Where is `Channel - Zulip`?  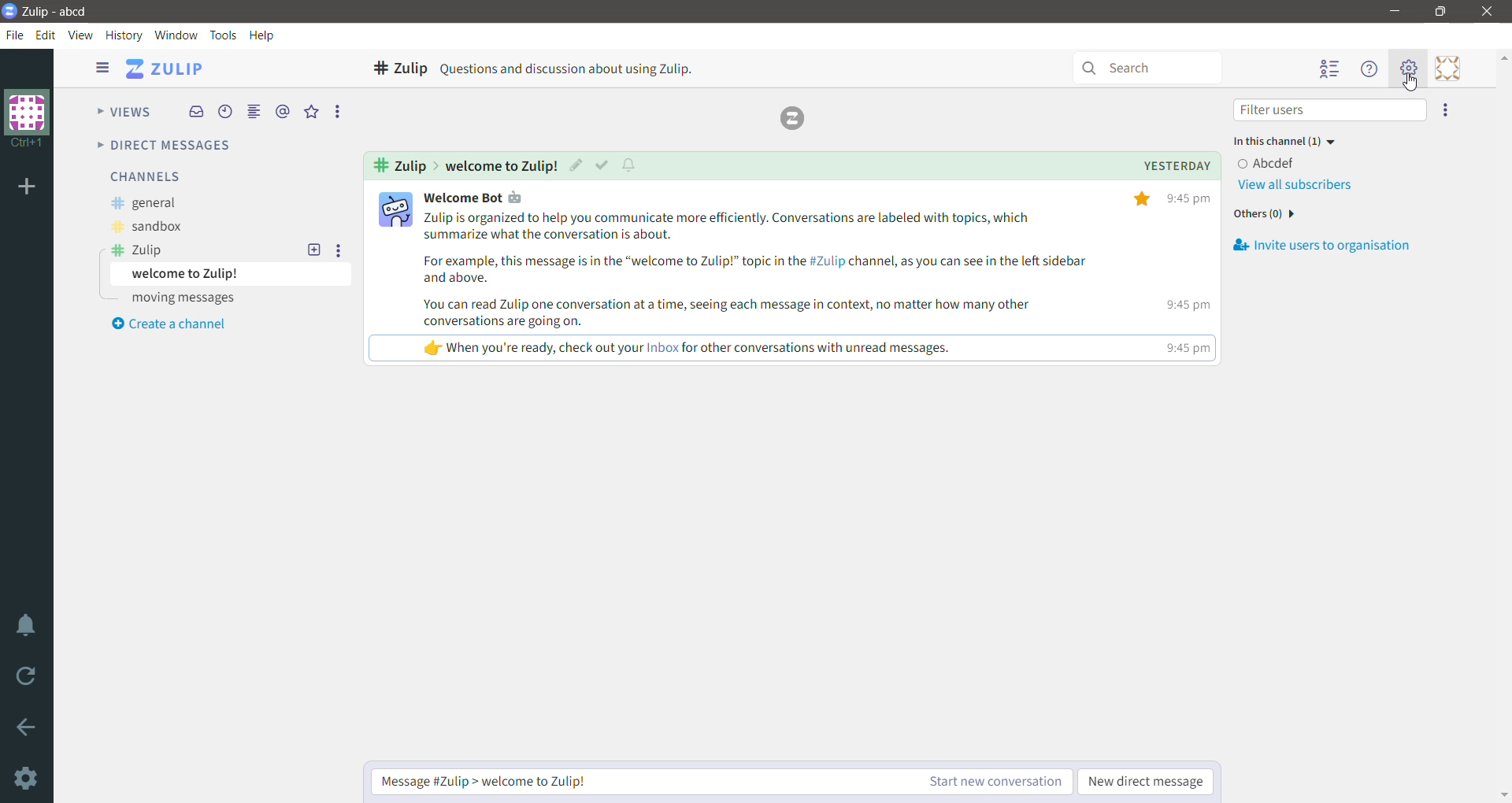 Channel - Zulip is located at coordinates (396, 166).